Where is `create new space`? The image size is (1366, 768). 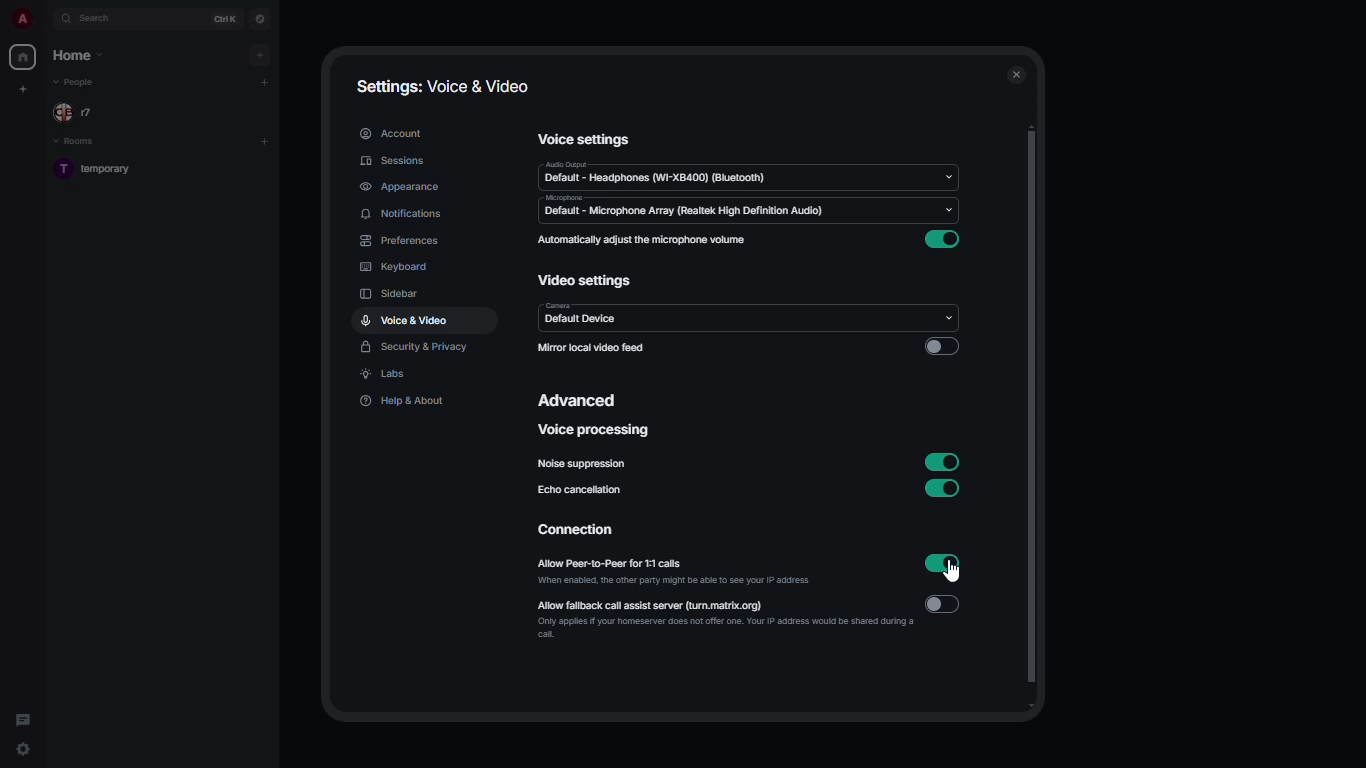
create new space is located at coordinates (25, 88).